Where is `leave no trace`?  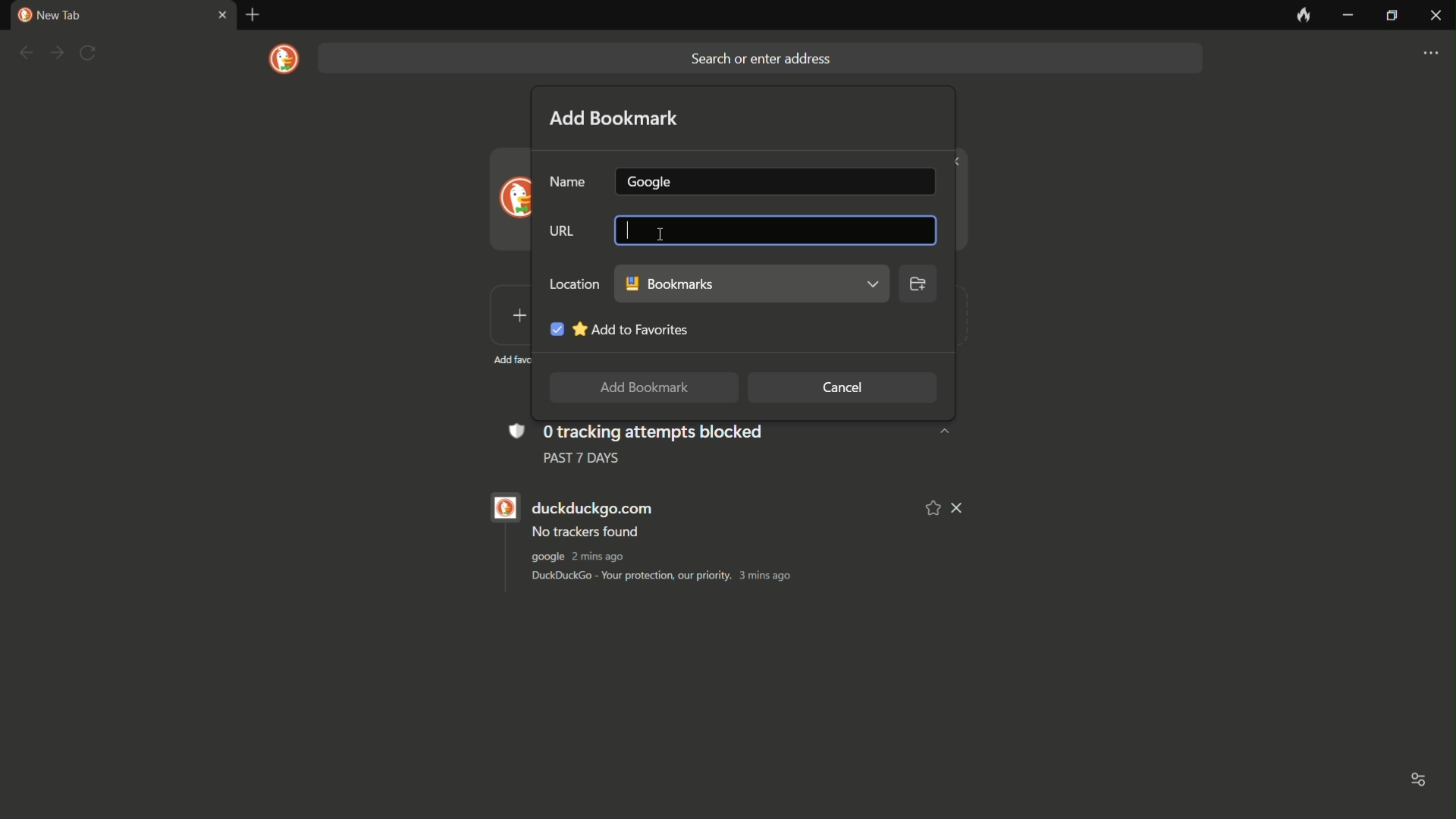 leave no trace is located at coordinates (1302, 16).